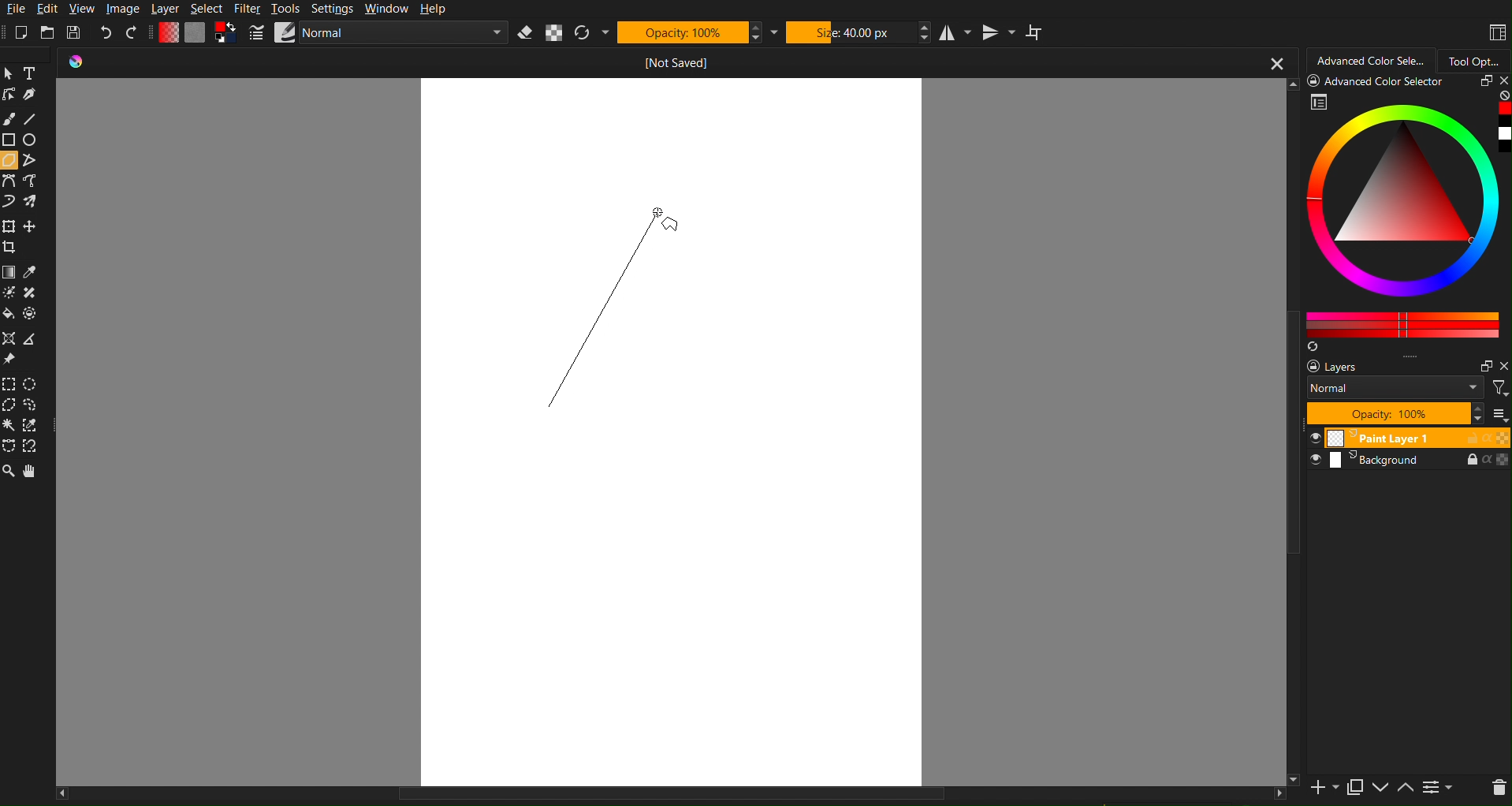 The height and width of the screenshot is (806, 1512). I want to click on [not saved], so click(680, 62).